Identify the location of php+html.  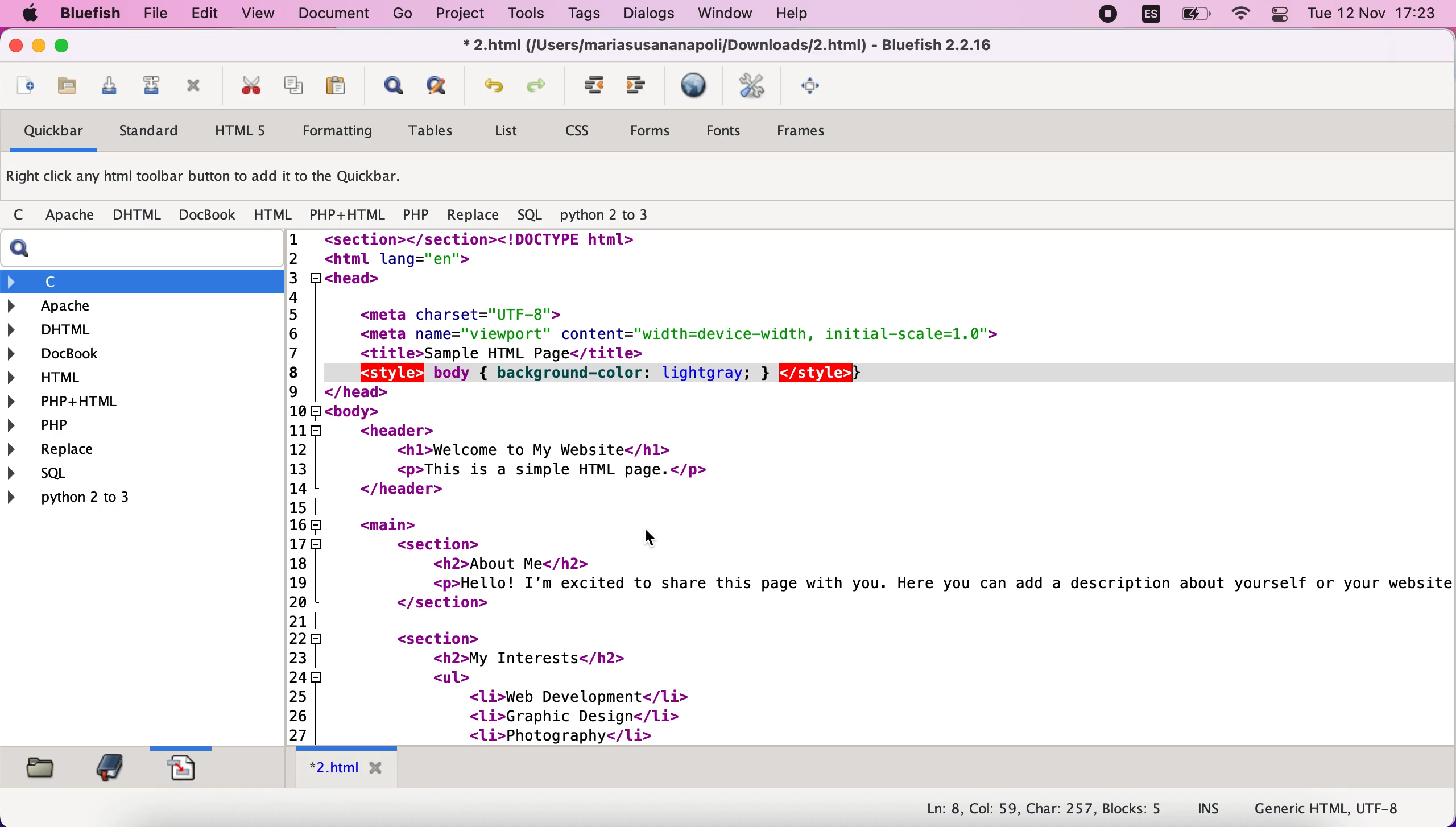
(134, 402).